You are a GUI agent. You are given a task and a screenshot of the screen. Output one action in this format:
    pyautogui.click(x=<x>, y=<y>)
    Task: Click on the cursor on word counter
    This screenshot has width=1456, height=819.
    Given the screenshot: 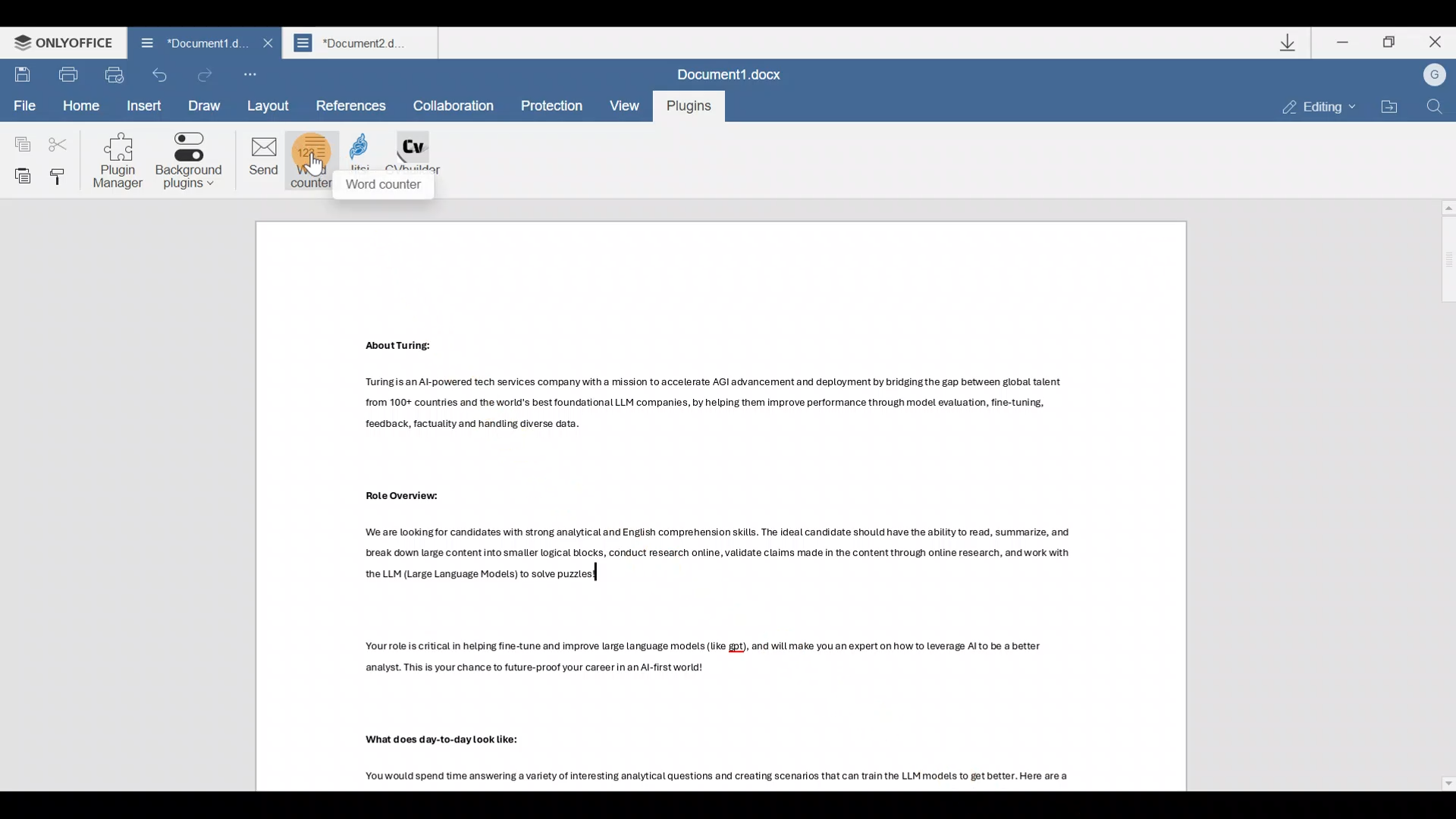 What is the action you would take?
    pyautogui.click(x=312, y=176)
    